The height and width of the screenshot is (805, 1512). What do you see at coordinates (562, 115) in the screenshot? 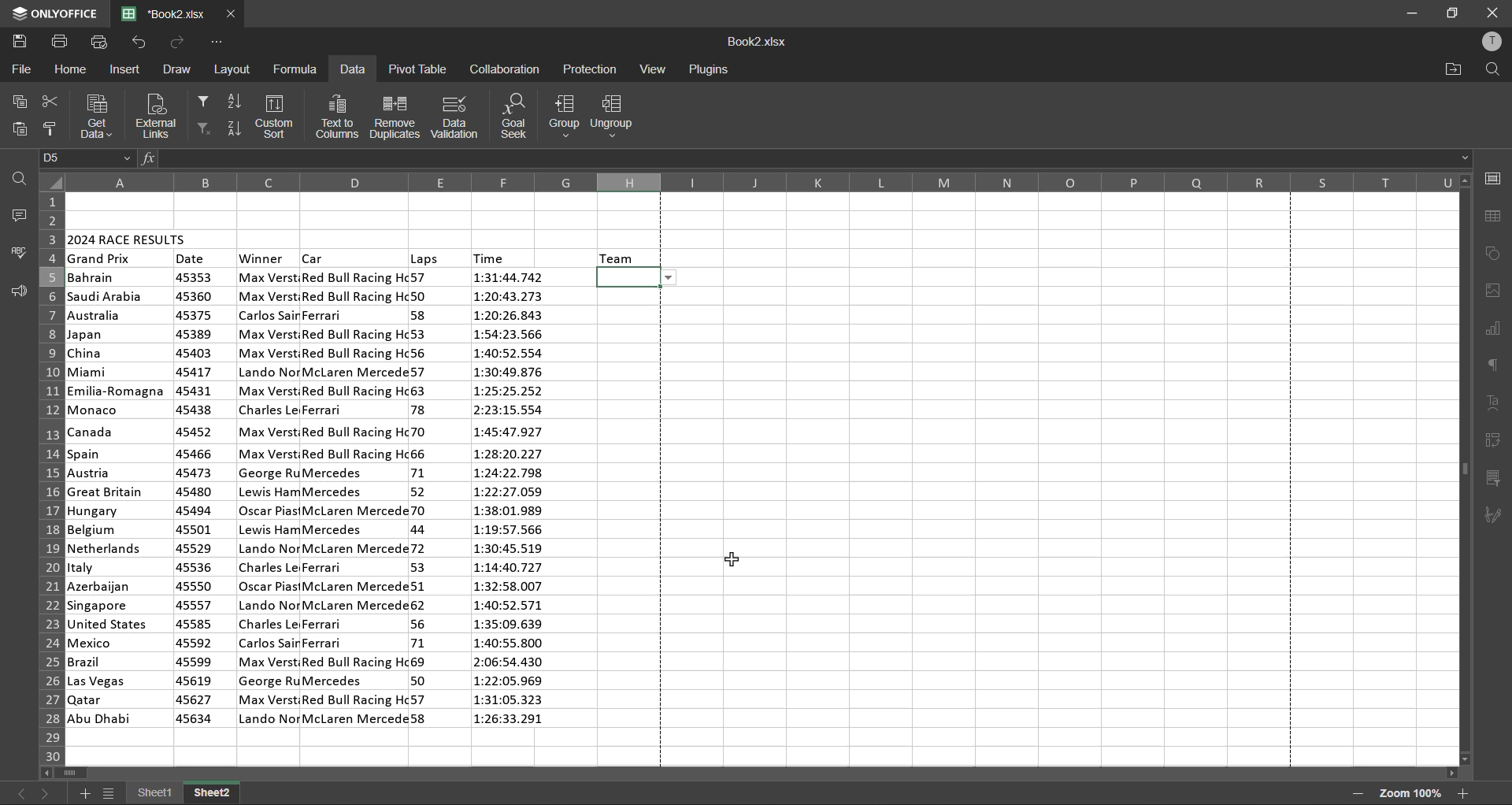
I see `group` at bounding box center [562, 115].